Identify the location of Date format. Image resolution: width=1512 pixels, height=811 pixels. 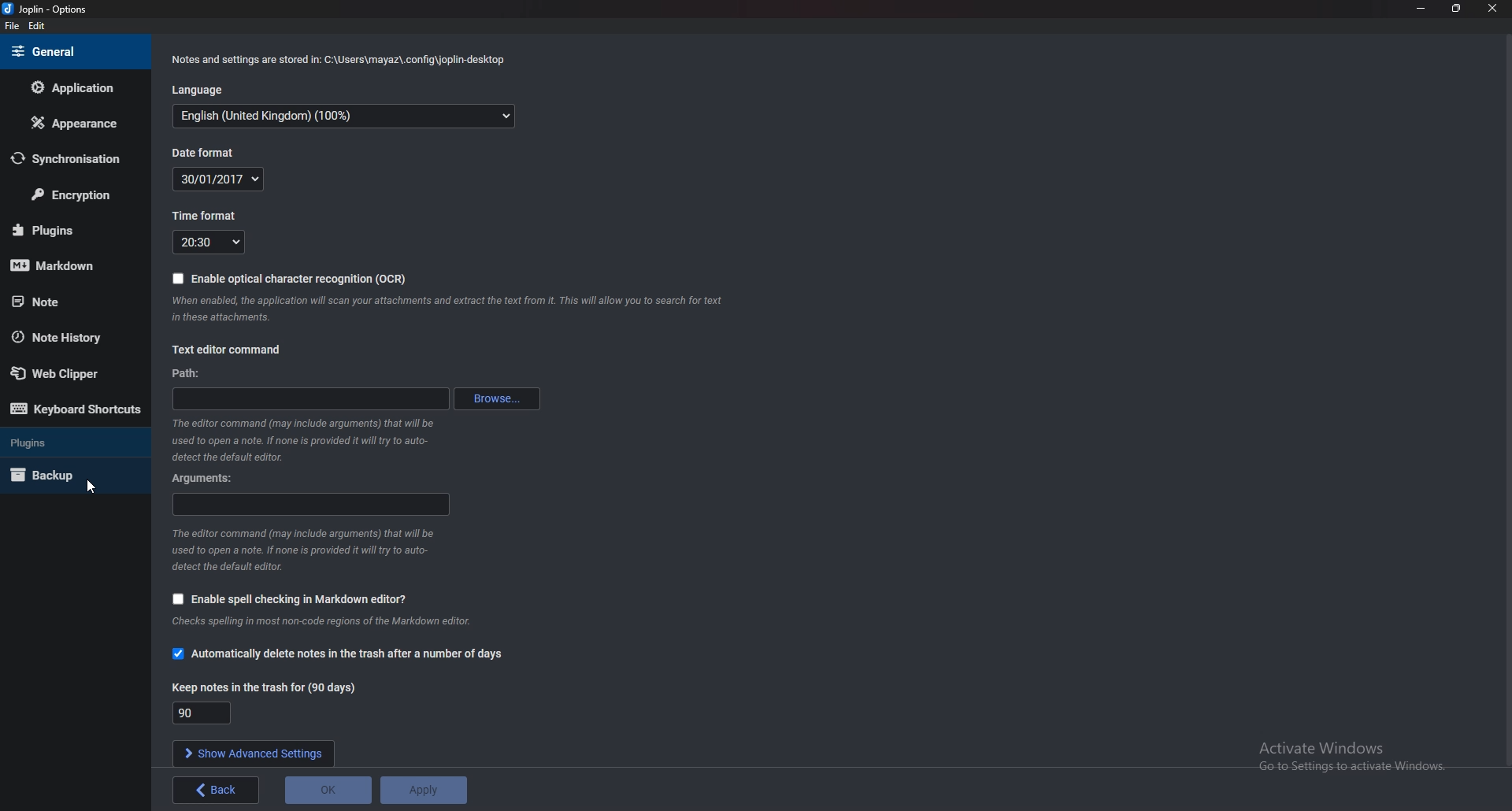
(206, 153).